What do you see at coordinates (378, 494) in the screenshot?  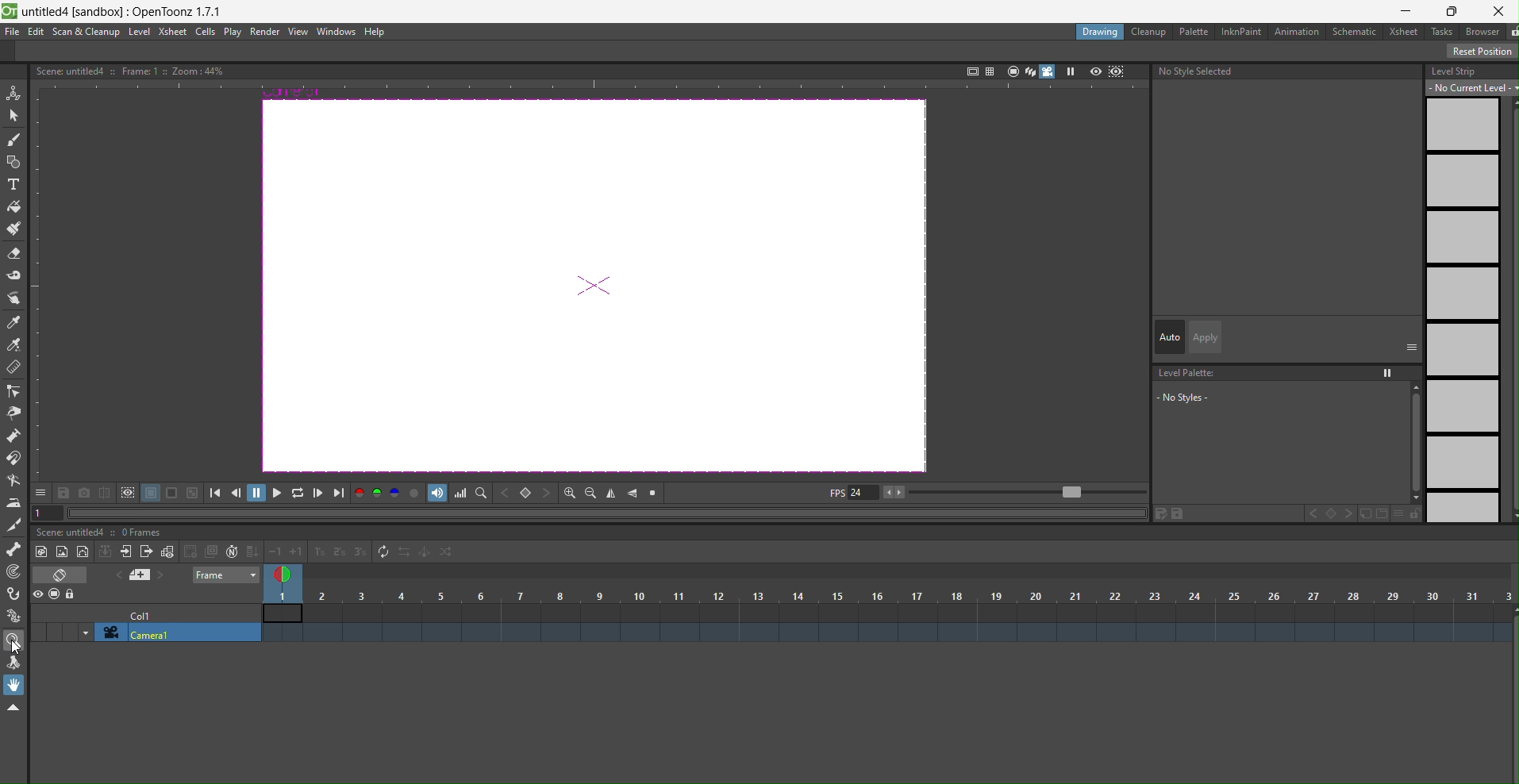 I see `green ` at bounding box center [378, 494].